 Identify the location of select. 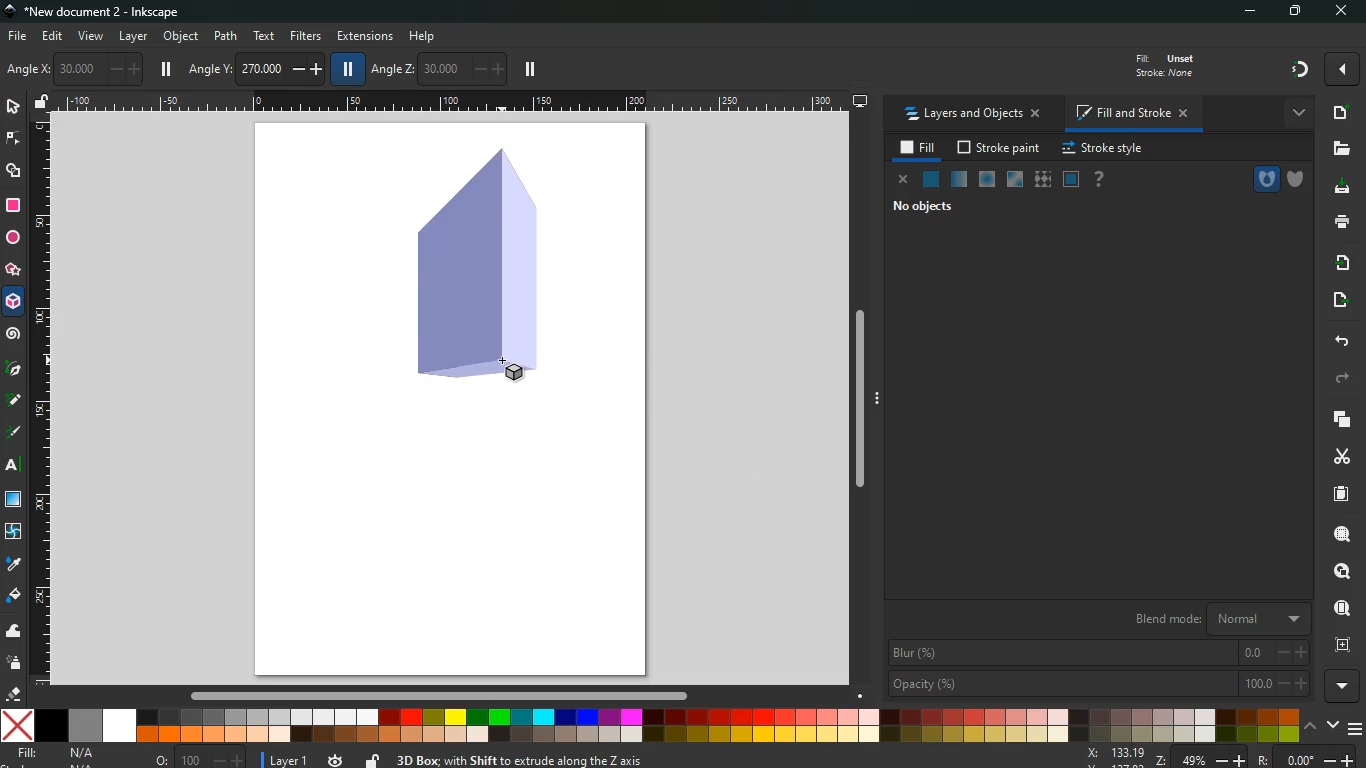
(15, 108).